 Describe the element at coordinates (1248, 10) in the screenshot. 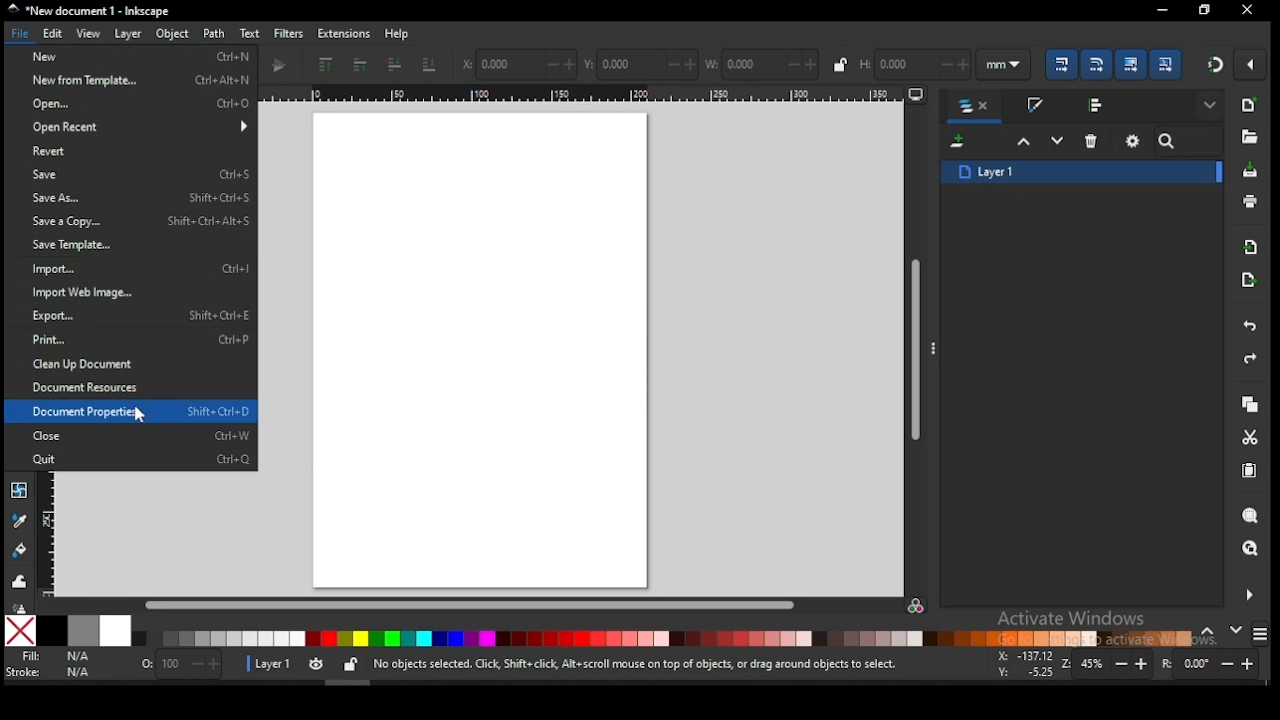

I see `restore` at that location.